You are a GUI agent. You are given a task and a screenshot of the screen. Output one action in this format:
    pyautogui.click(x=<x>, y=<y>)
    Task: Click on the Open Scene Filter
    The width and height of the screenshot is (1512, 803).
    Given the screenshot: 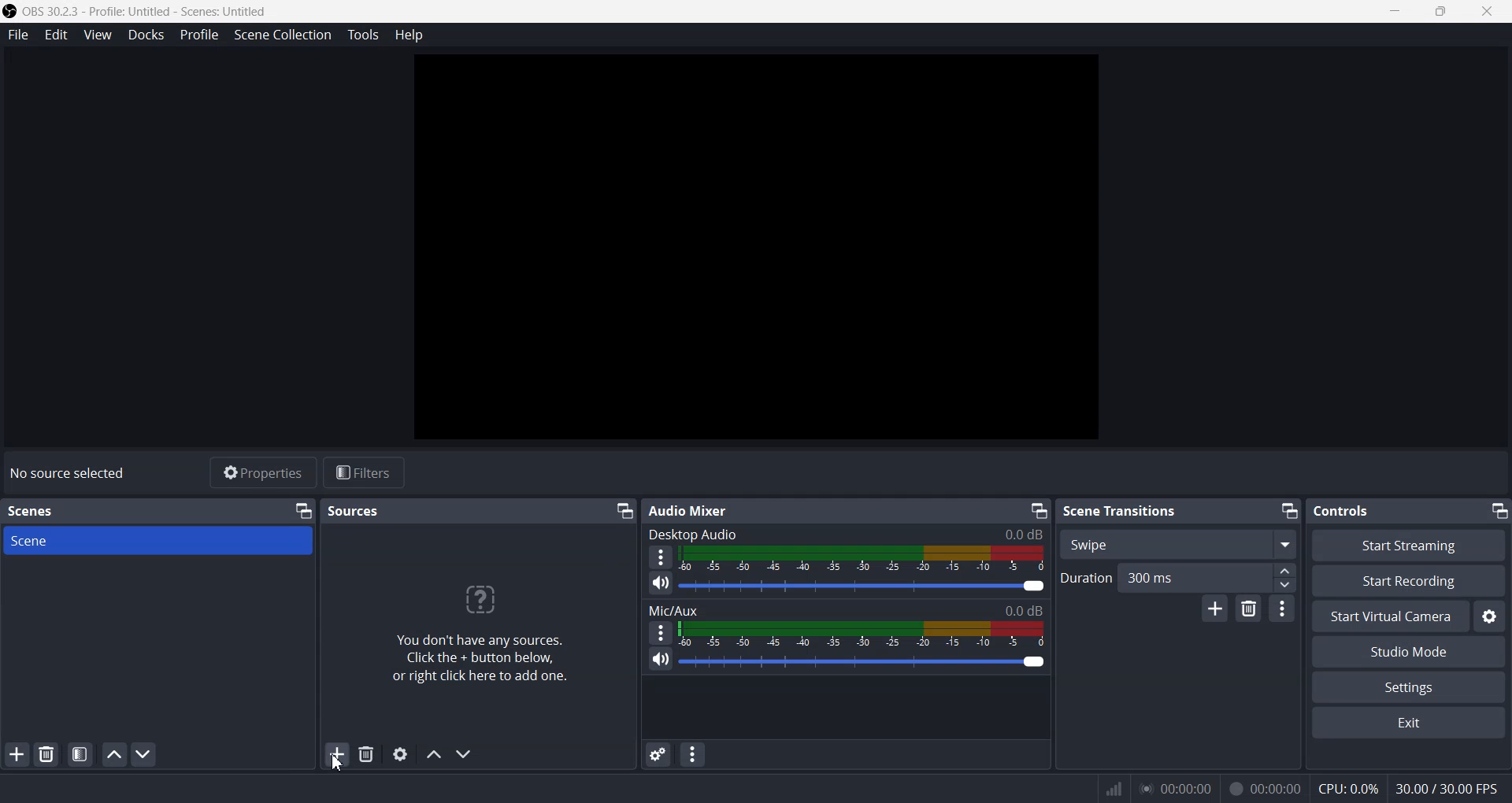 What is the action you would take?
    pyautogui.click(x=80, y=754)
    